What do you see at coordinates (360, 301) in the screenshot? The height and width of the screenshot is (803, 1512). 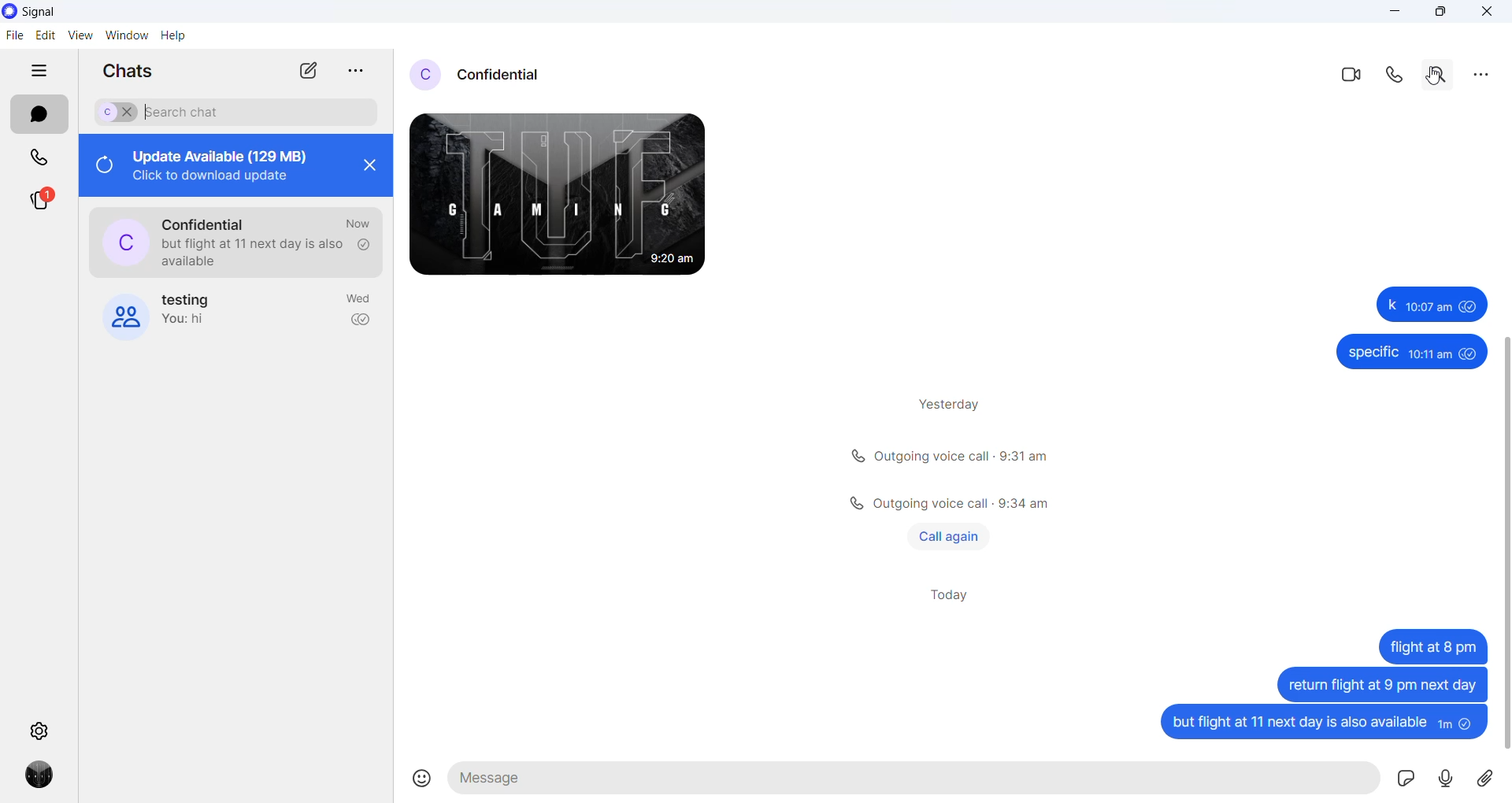 I see `last active` at bounding box center [360, 301].